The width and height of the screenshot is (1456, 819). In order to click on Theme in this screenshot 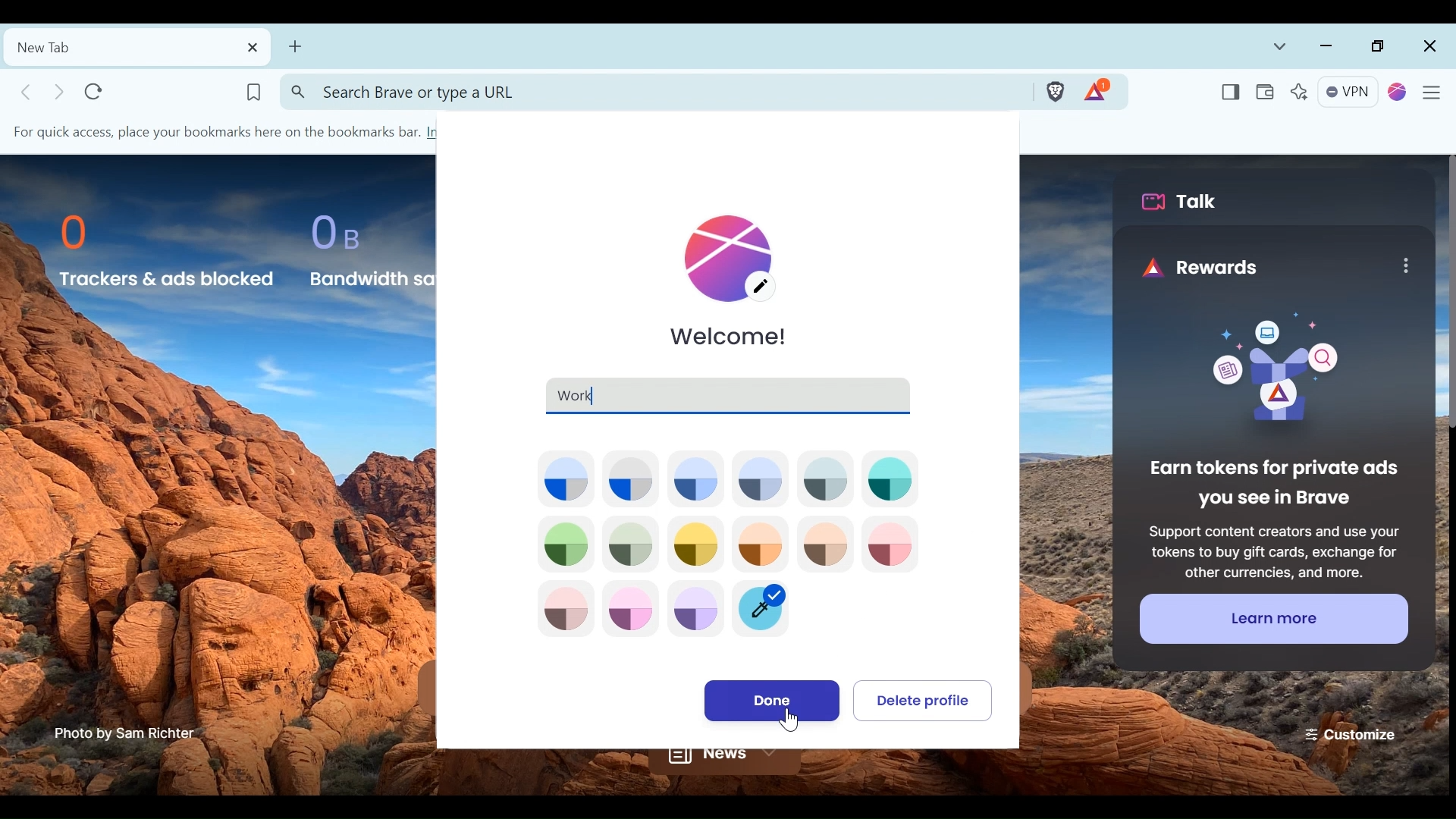, I will do `click(565, 478)`.